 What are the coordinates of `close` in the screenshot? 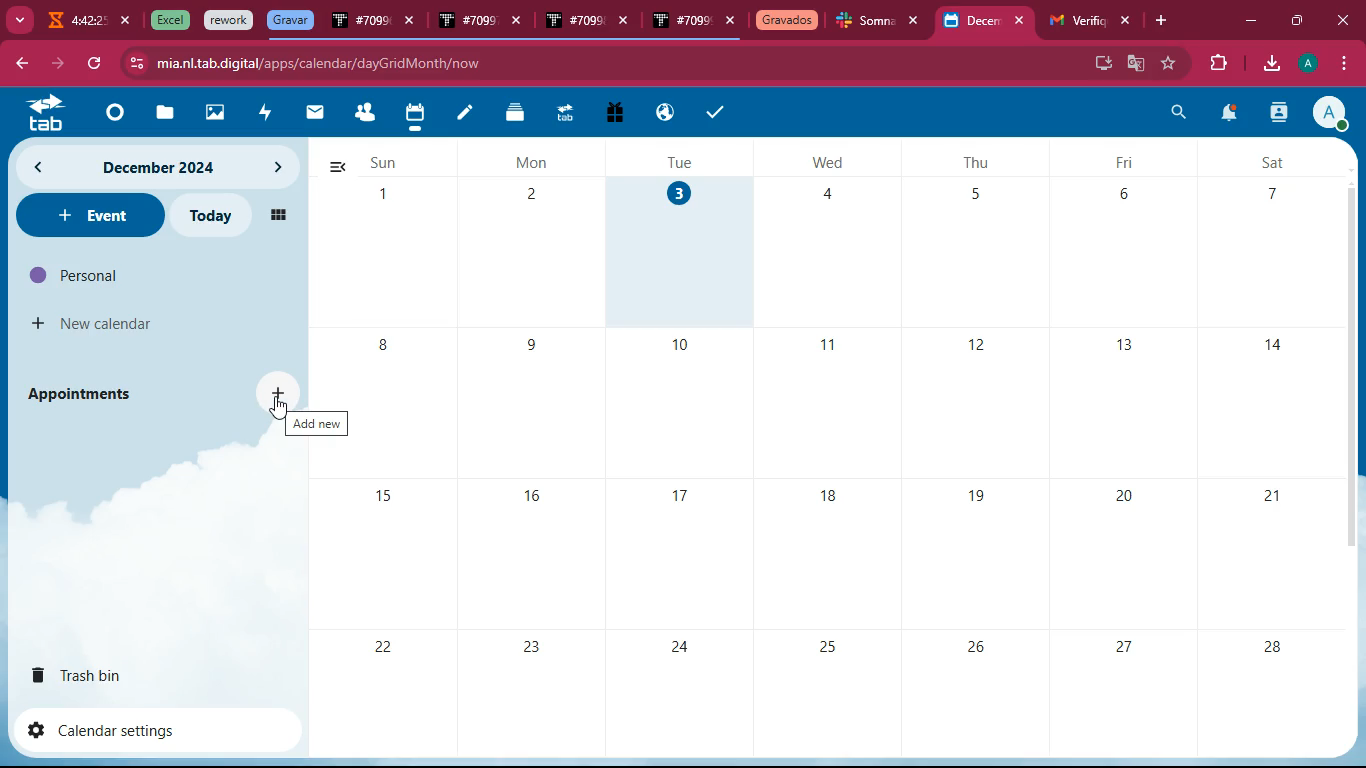 It's located at (731, 22).